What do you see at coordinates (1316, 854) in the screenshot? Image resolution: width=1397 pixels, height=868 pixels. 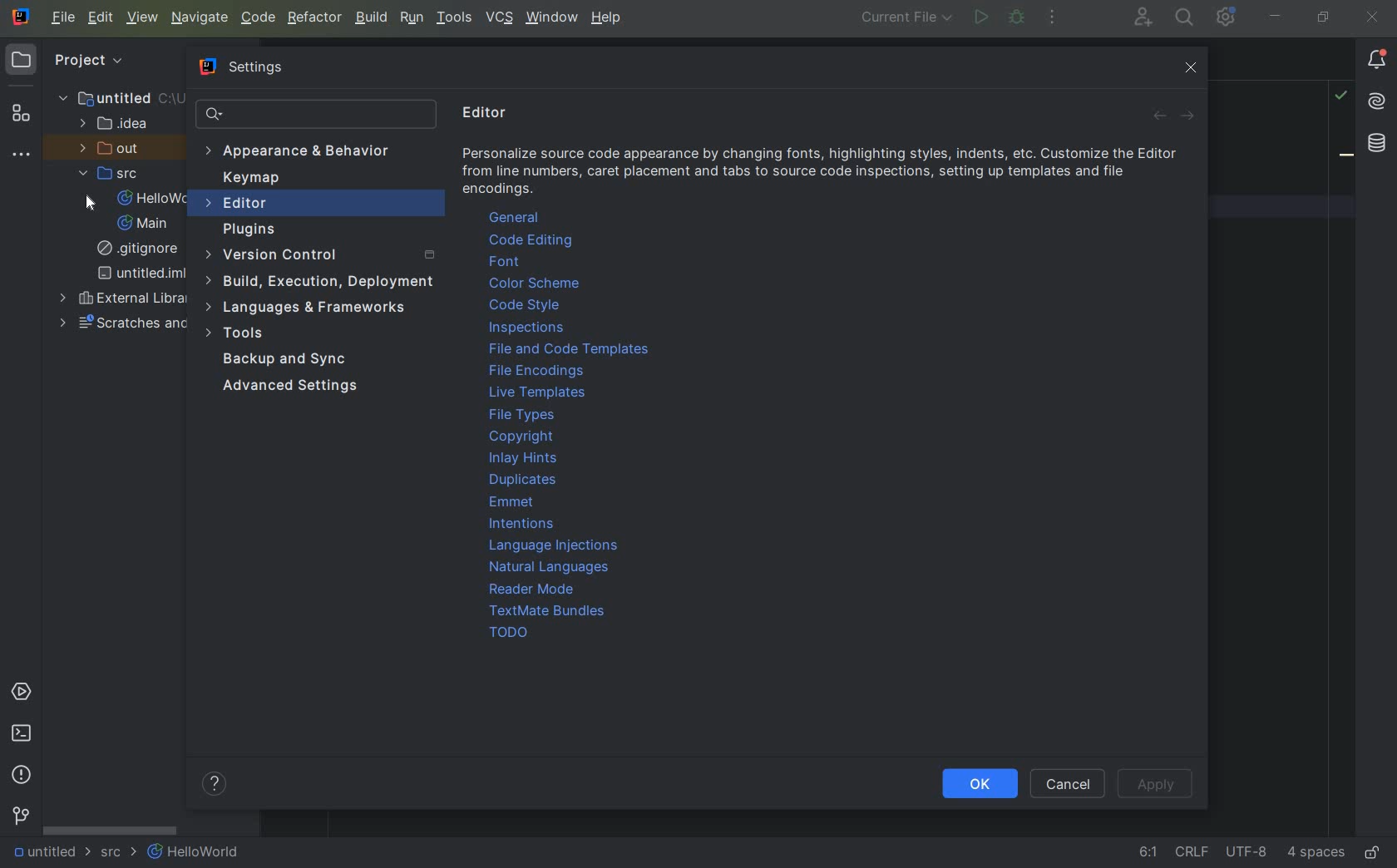 I see `Indent` at bounding box center [1316, 854].